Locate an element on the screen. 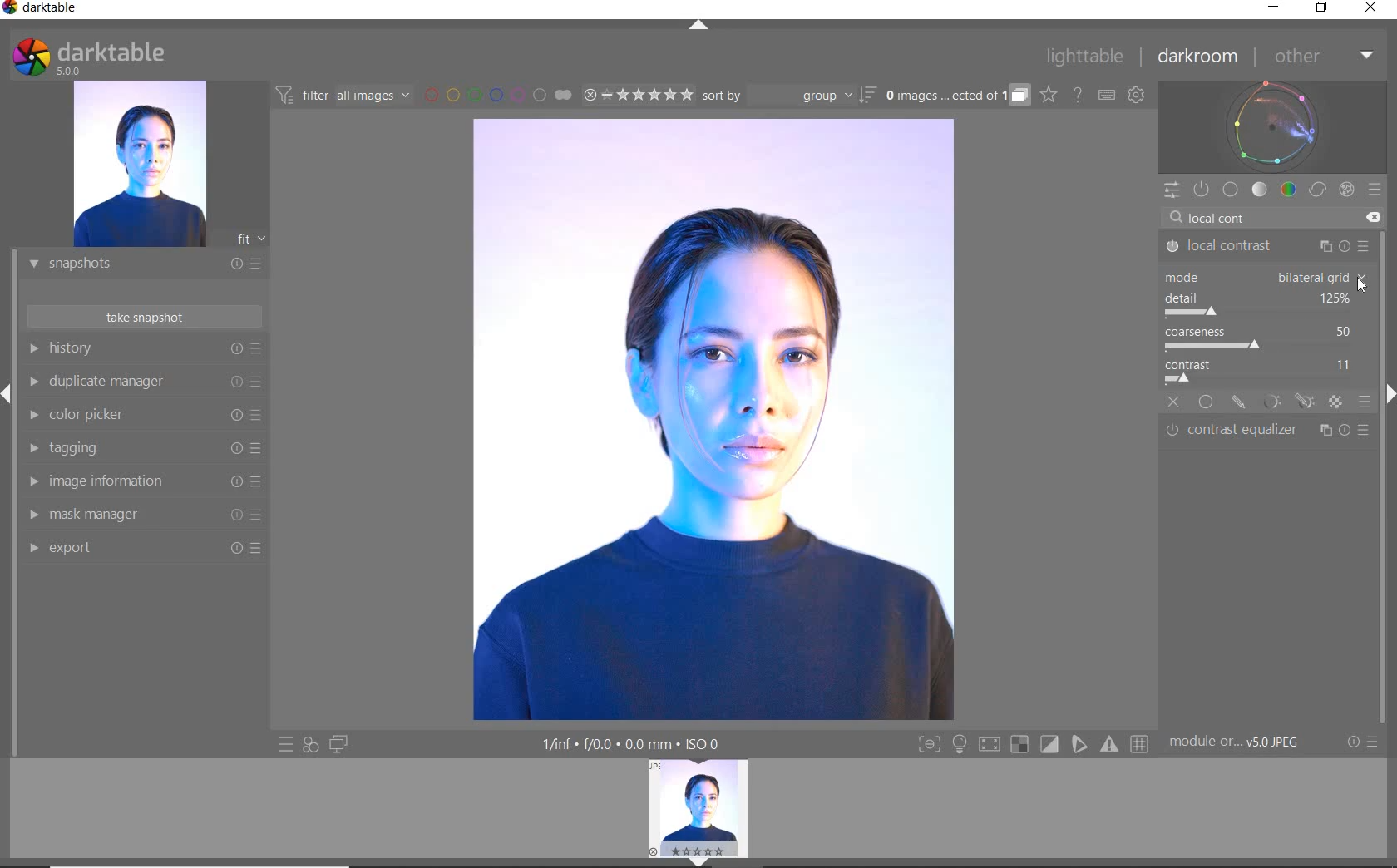  SET KEYBOARD SHORTCUTS is located at coordinates (1107, 95).